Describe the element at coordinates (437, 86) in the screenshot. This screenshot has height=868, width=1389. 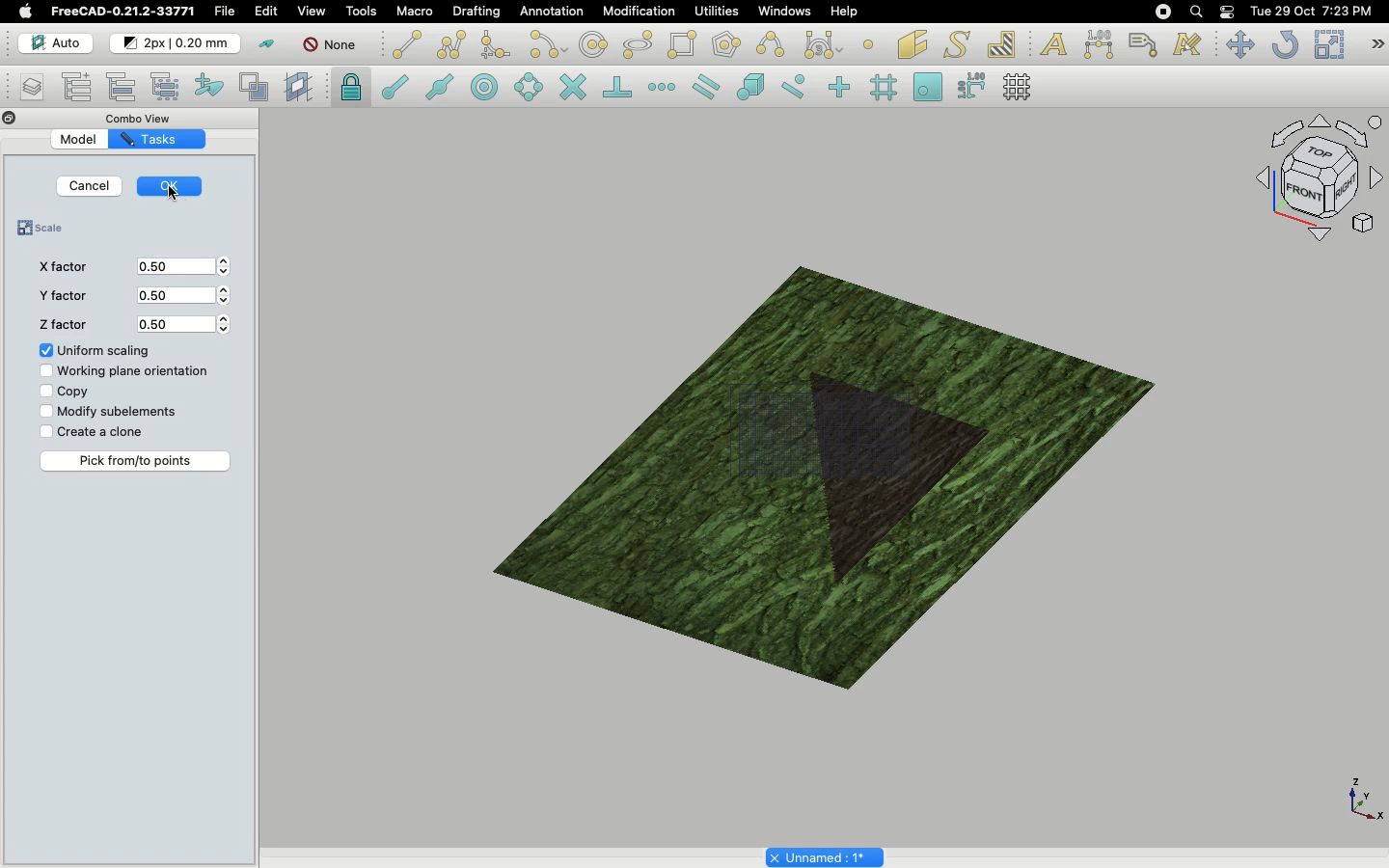
I see `Snap midpoint` at that location.